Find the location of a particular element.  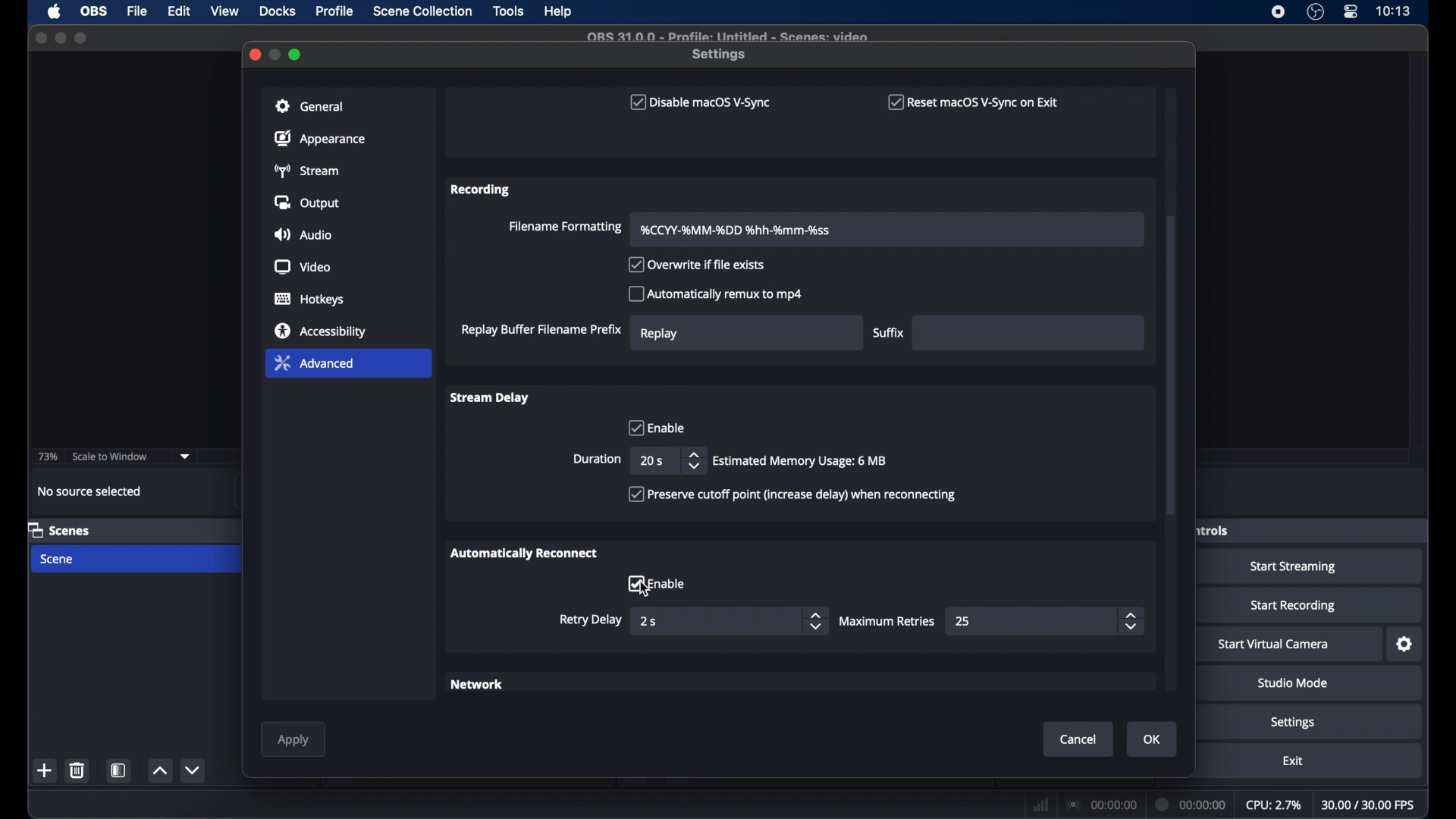

close is located at coordinates (254, 53).